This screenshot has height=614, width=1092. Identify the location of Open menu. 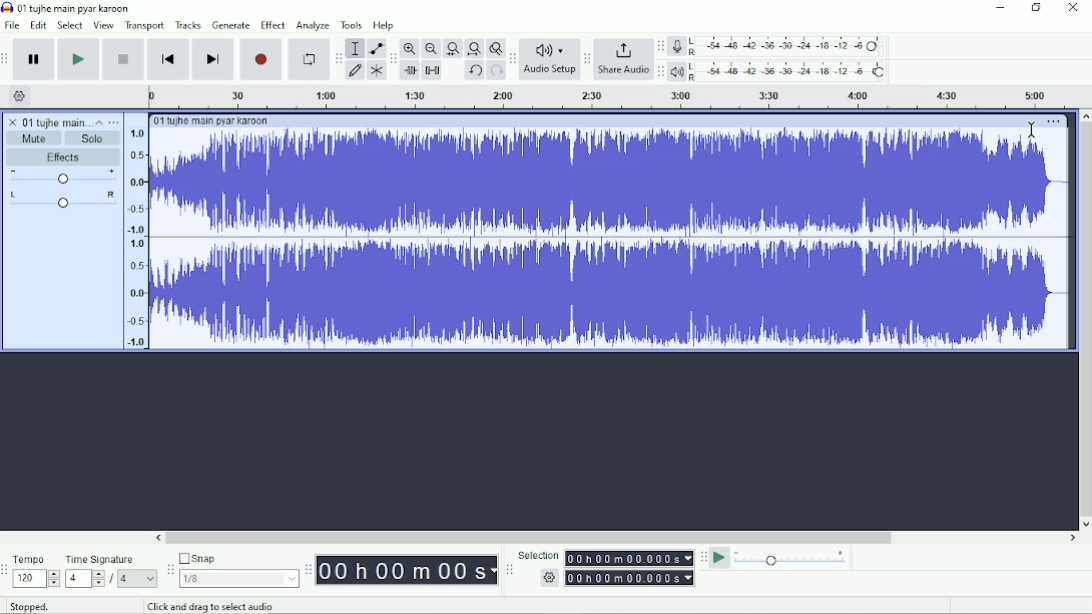
(115, 122).